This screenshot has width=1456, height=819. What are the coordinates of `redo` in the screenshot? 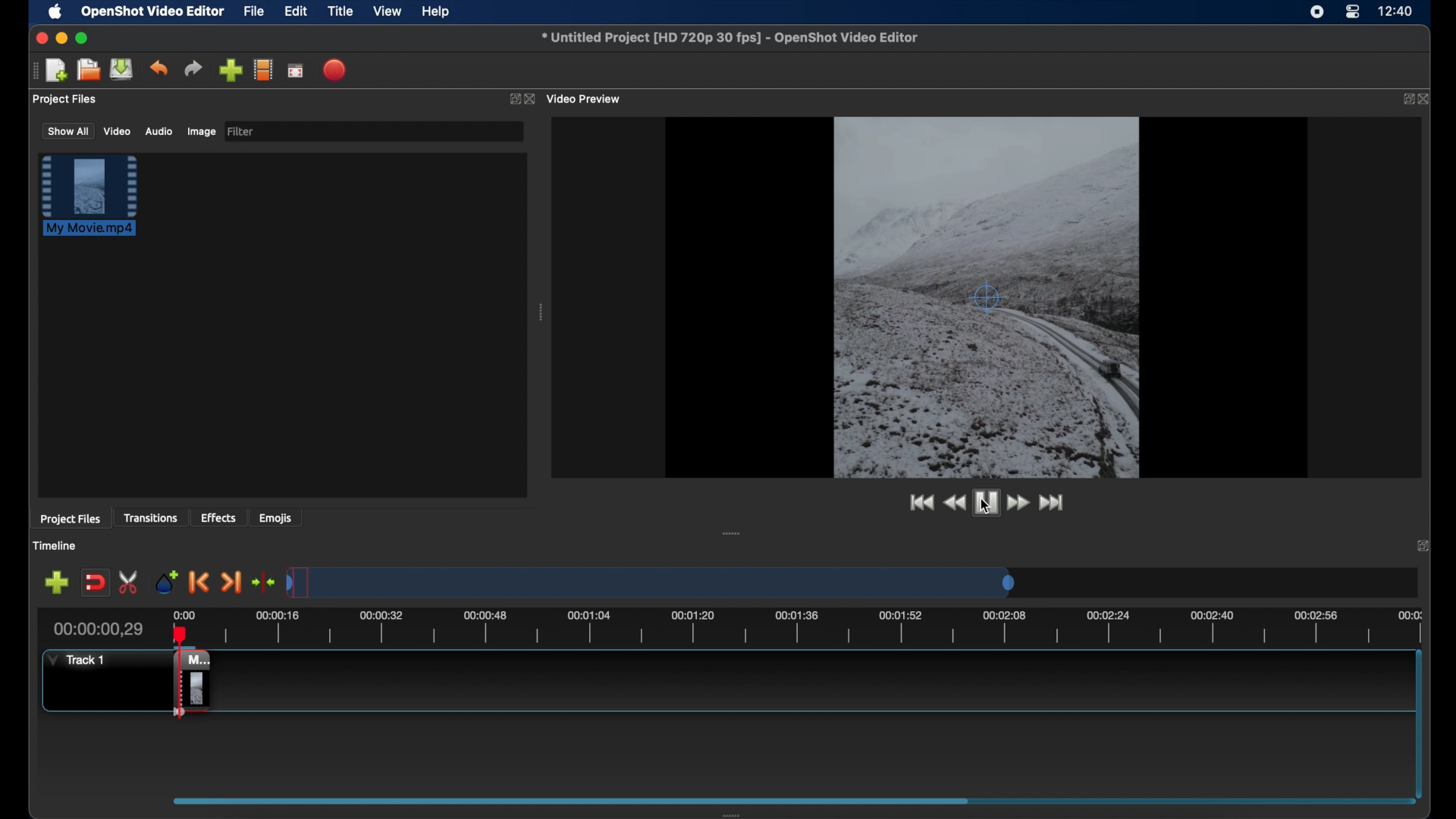 It's located at (193, 69).